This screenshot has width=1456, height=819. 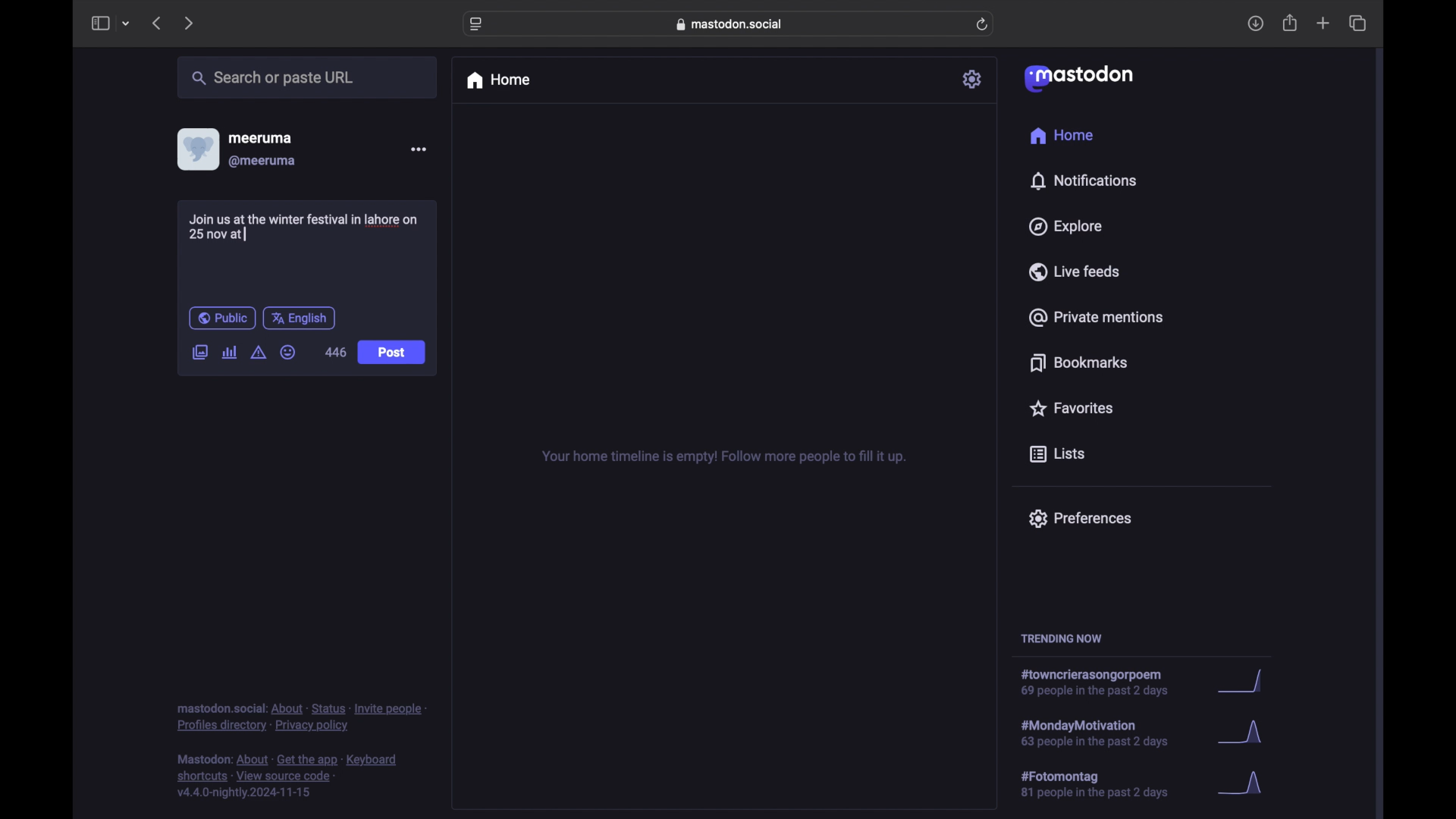 What do you see at coordinates (723, 457) in the screenshot?
I see `your home timeline is empty! follow more people to fill it up` at bounding box center [723, 457].